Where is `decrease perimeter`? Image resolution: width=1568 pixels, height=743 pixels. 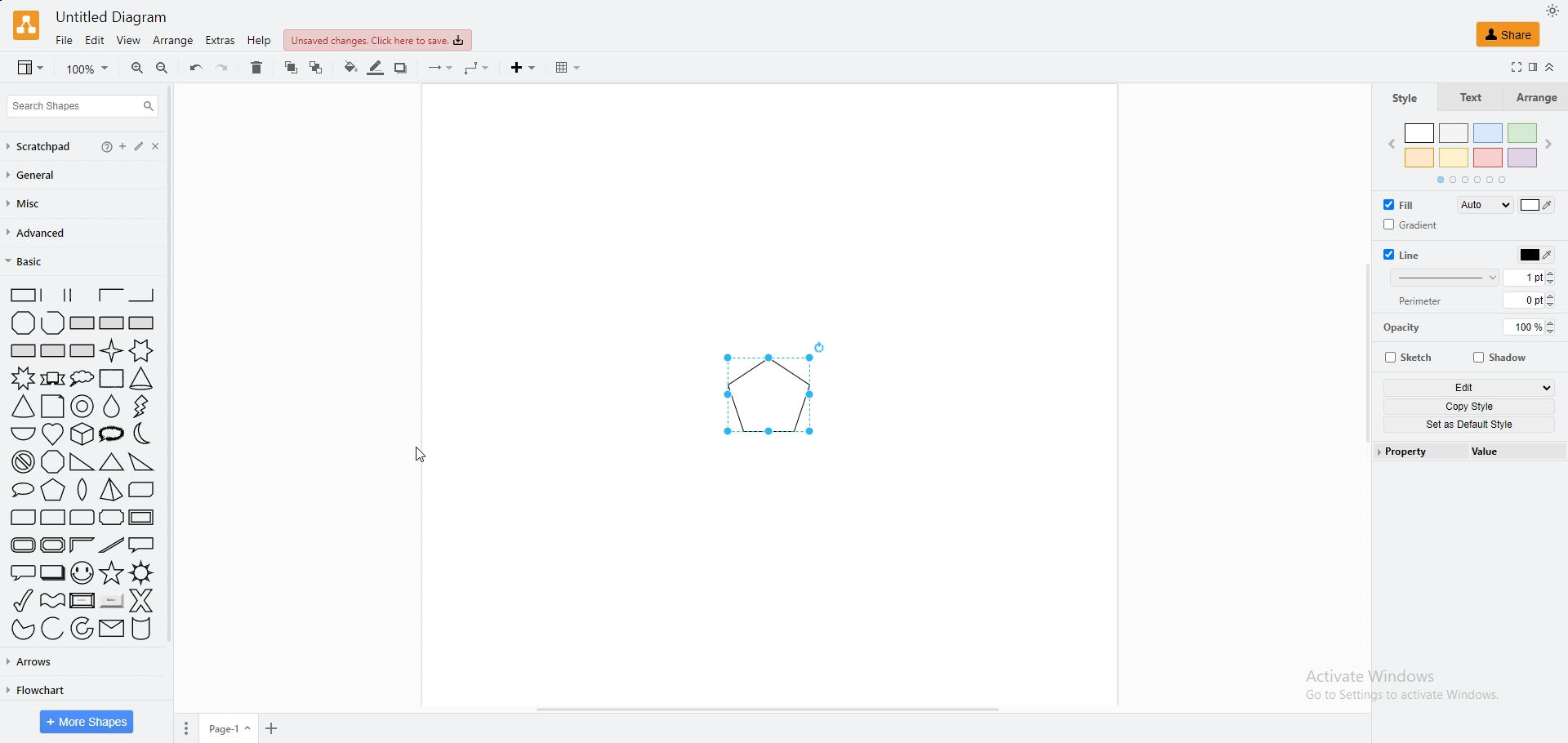 decrease perimeter is located at coordinates (1556, 305).